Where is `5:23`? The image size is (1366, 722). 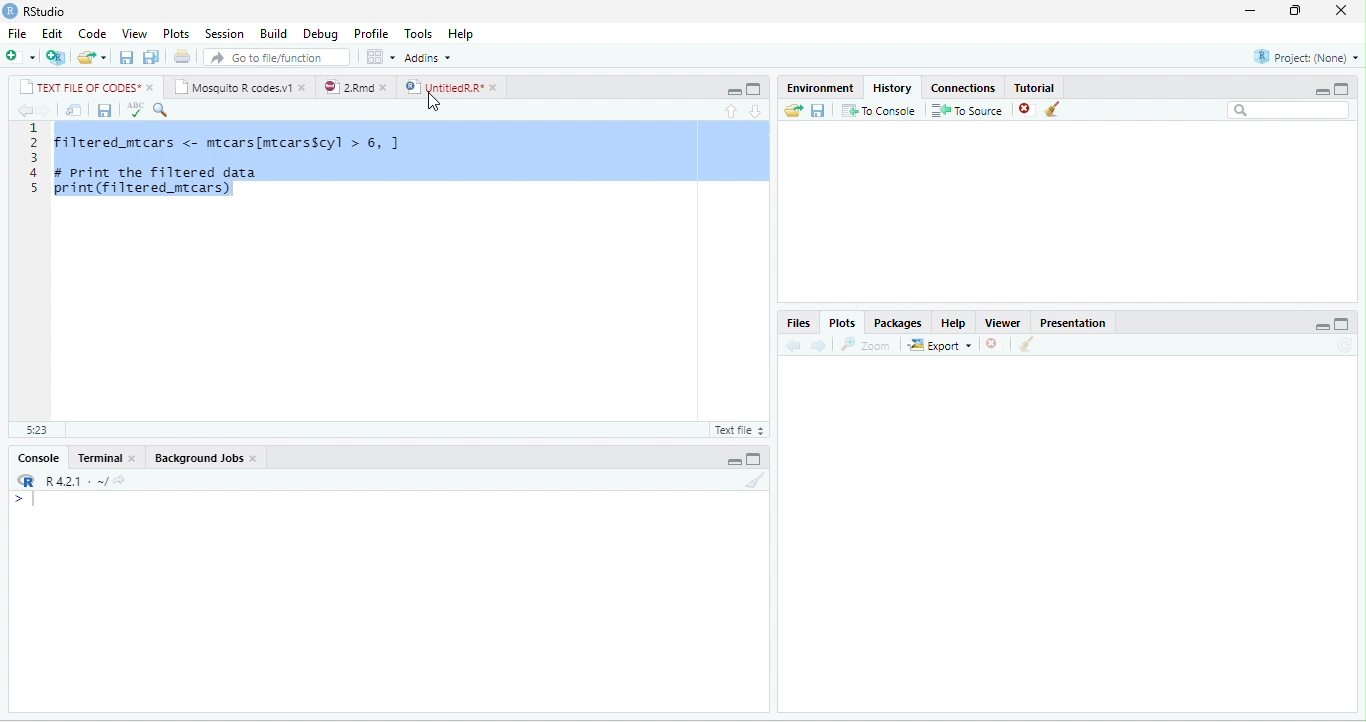 5:23 is located at coordinates (37, 430).